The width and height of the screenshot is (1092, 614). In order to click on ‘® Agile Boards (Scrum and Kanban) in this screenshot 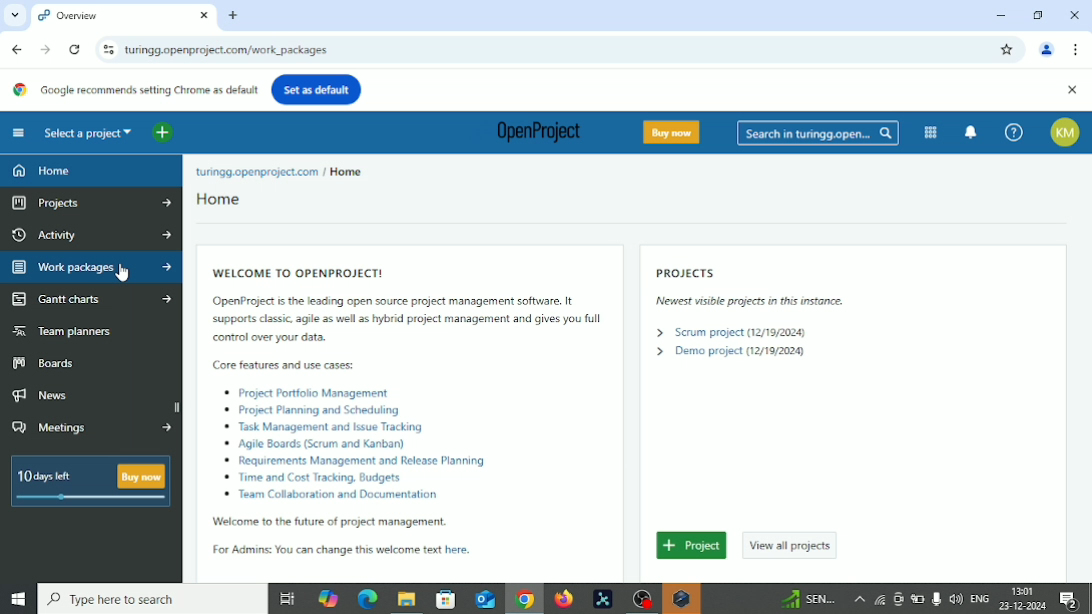, I will do `click(319, 445)`.